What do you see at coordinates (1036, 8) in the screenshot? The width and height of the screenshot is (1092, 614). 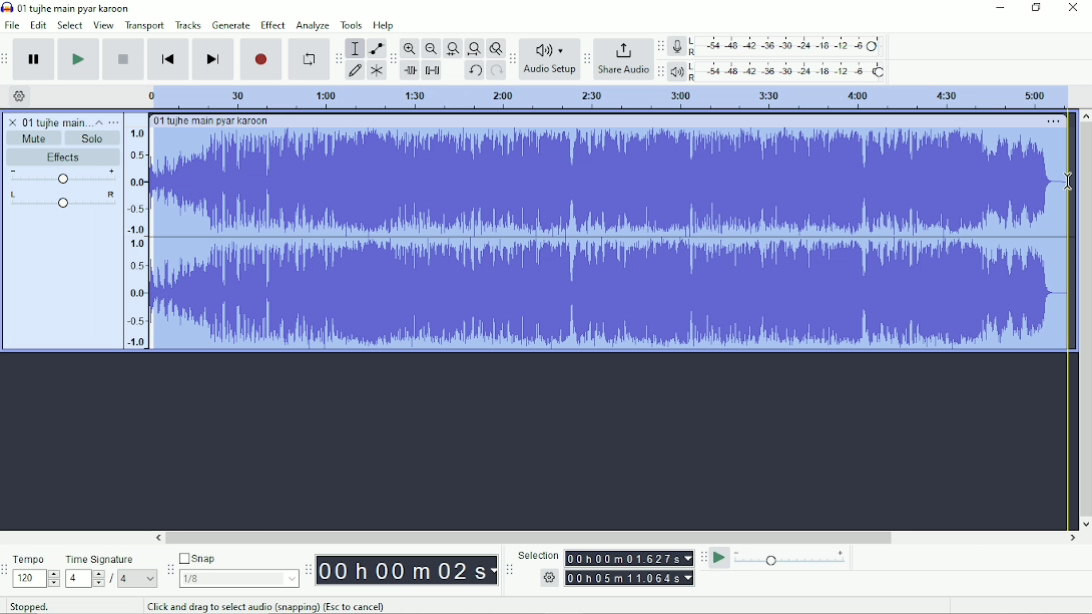 I see `Restore down` at bounding box center [1036, 8].